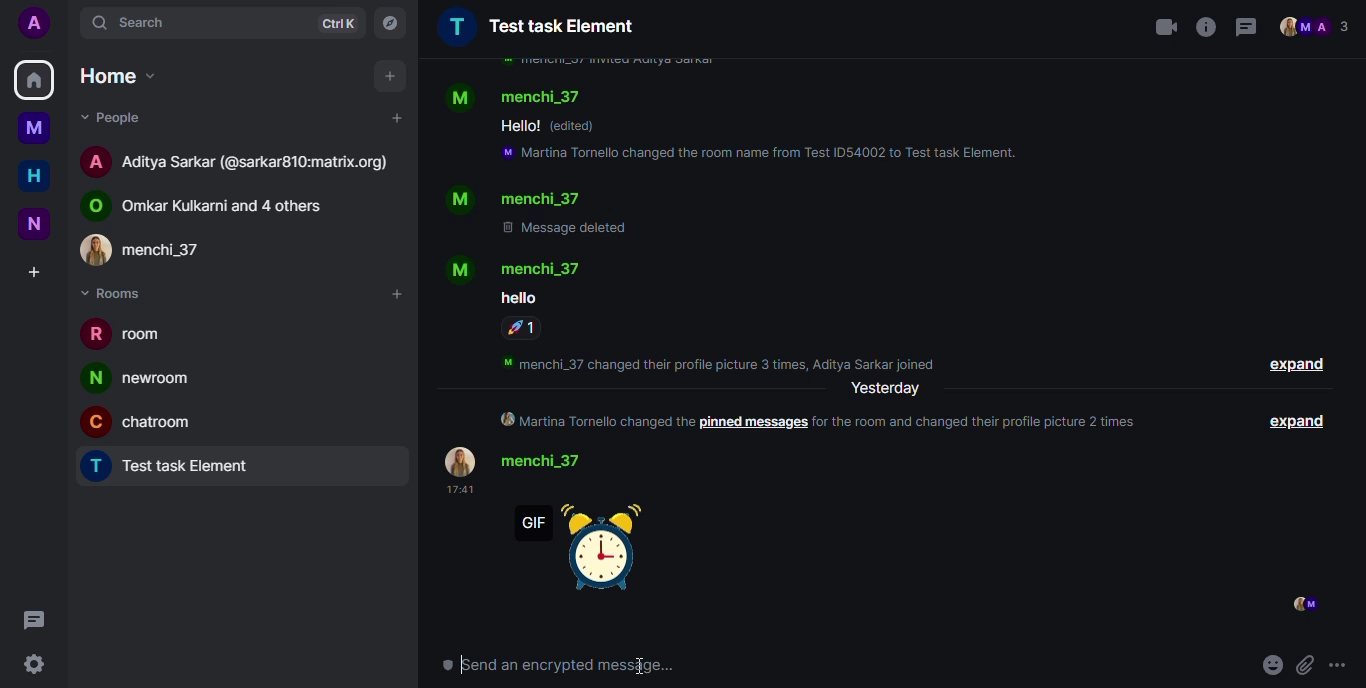 The width and height of the screenshot is (1366, 688). What do you see at coordinates (34, 81) in the screenshot?
I see `home` at bounding box center [34, 81].